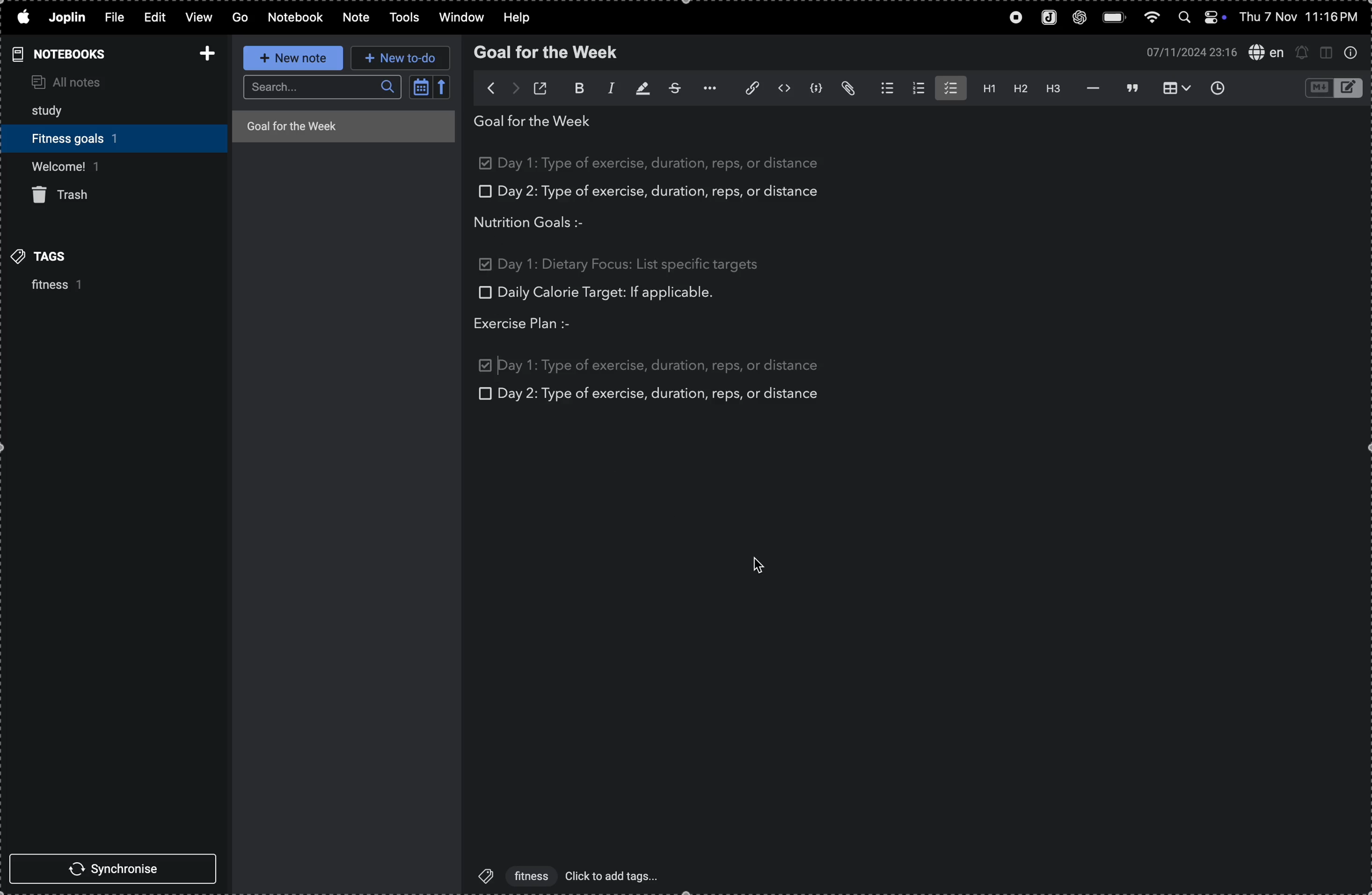 The height and width of the screenshot is (895, 1372). Describe the element at coordinates (1113, 16) in the screenshot. I see `battery` at that location.